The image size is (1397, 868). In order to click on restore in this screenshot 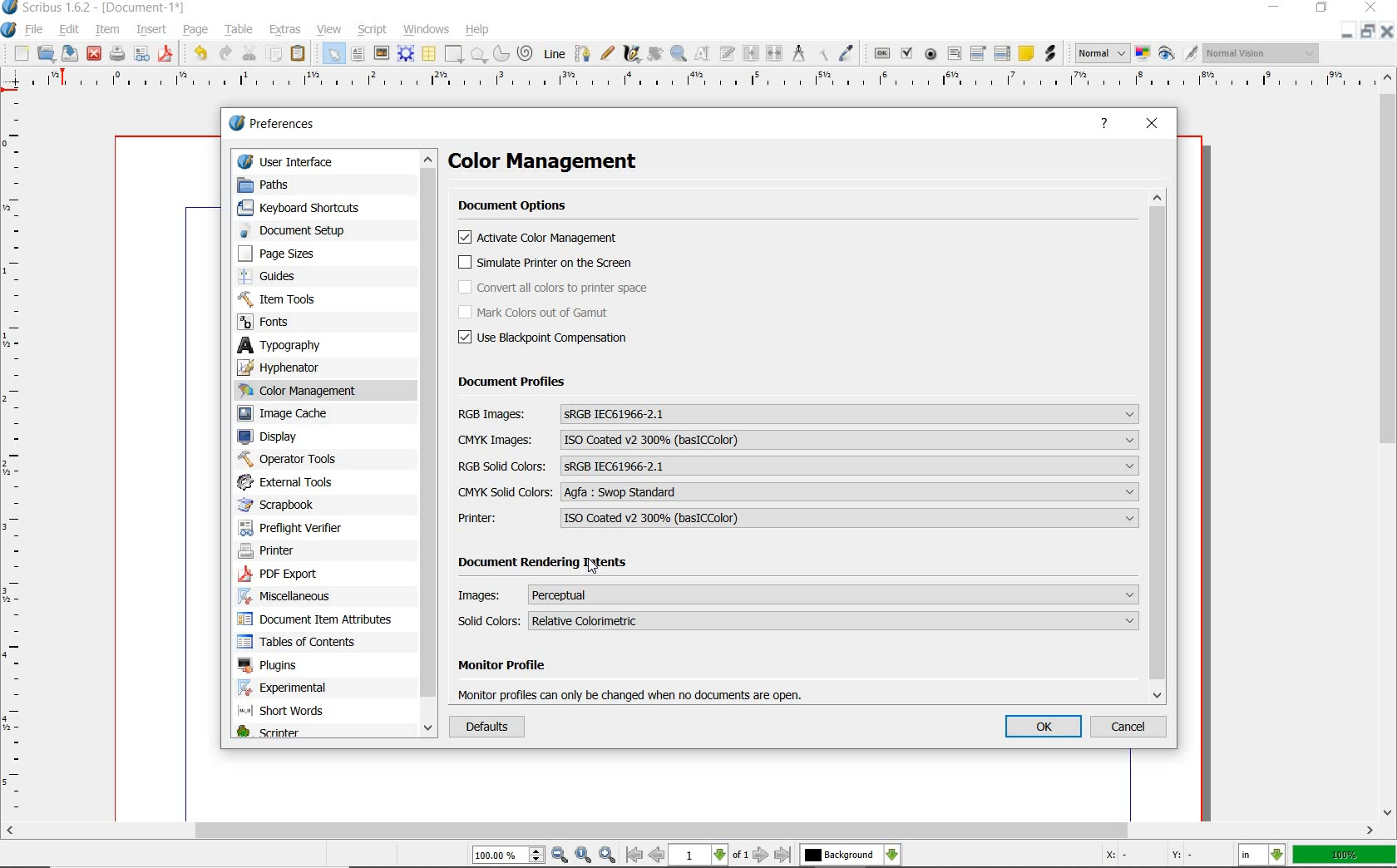, I will do `click(1369, 33)`.